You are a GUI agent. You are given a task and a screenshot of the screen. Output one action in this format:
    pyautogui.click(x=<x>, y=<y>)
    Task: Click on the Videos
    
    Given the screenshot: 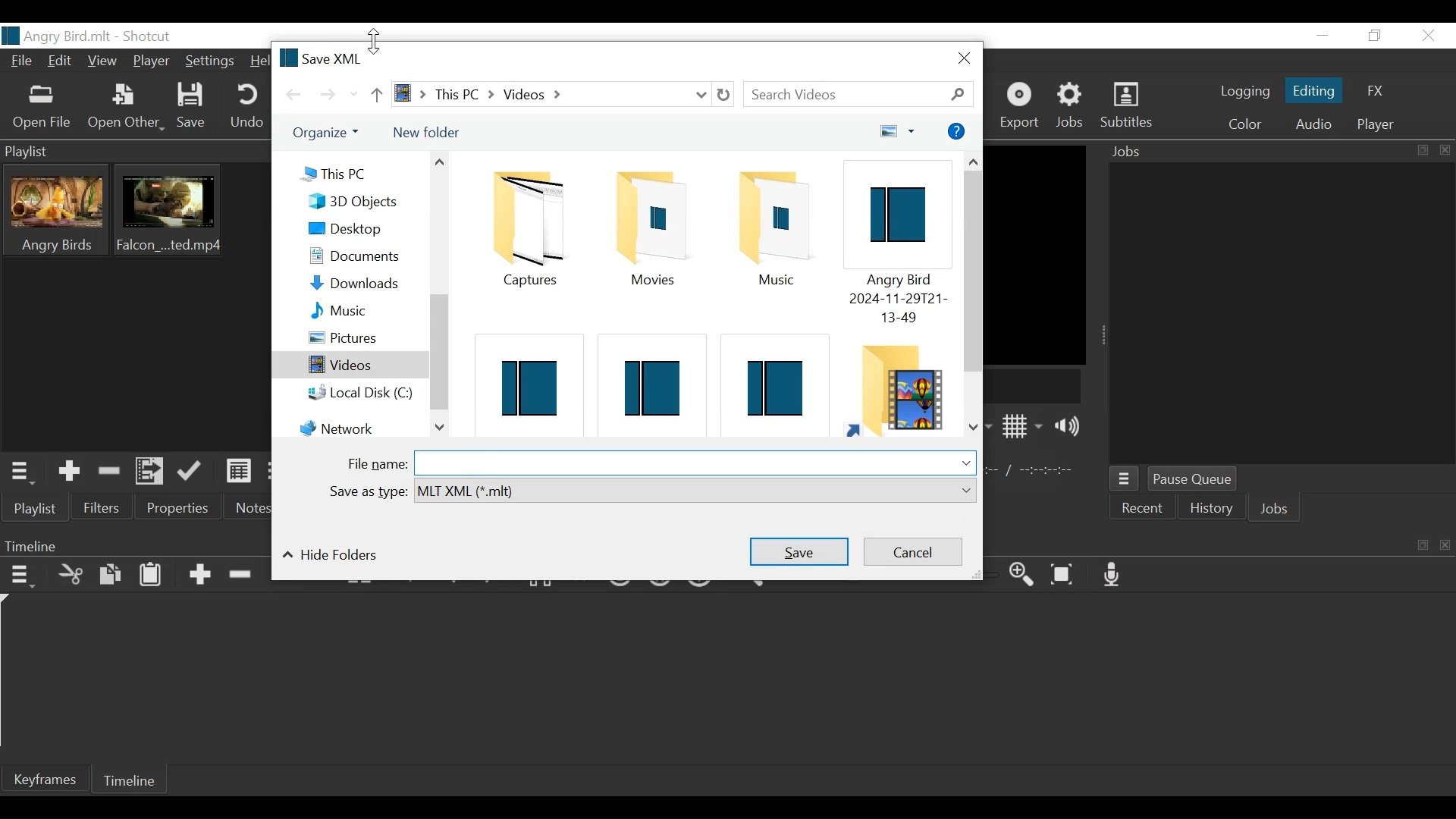 What is the action you would take?
    pyautogui.click(x=350, y=365)
    